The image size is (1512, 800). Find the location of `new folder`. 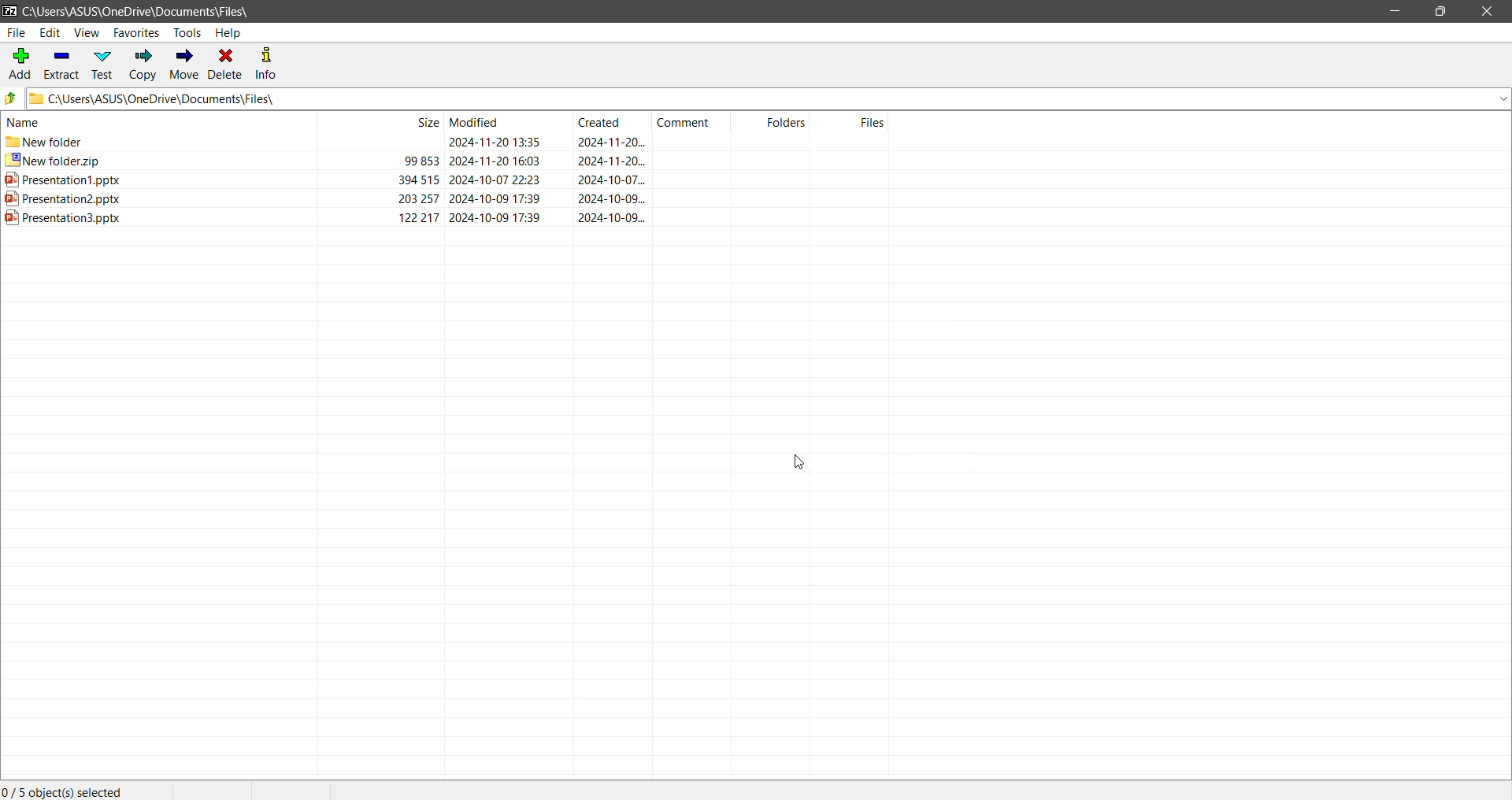

new folder is located at coordinates (447, 143).